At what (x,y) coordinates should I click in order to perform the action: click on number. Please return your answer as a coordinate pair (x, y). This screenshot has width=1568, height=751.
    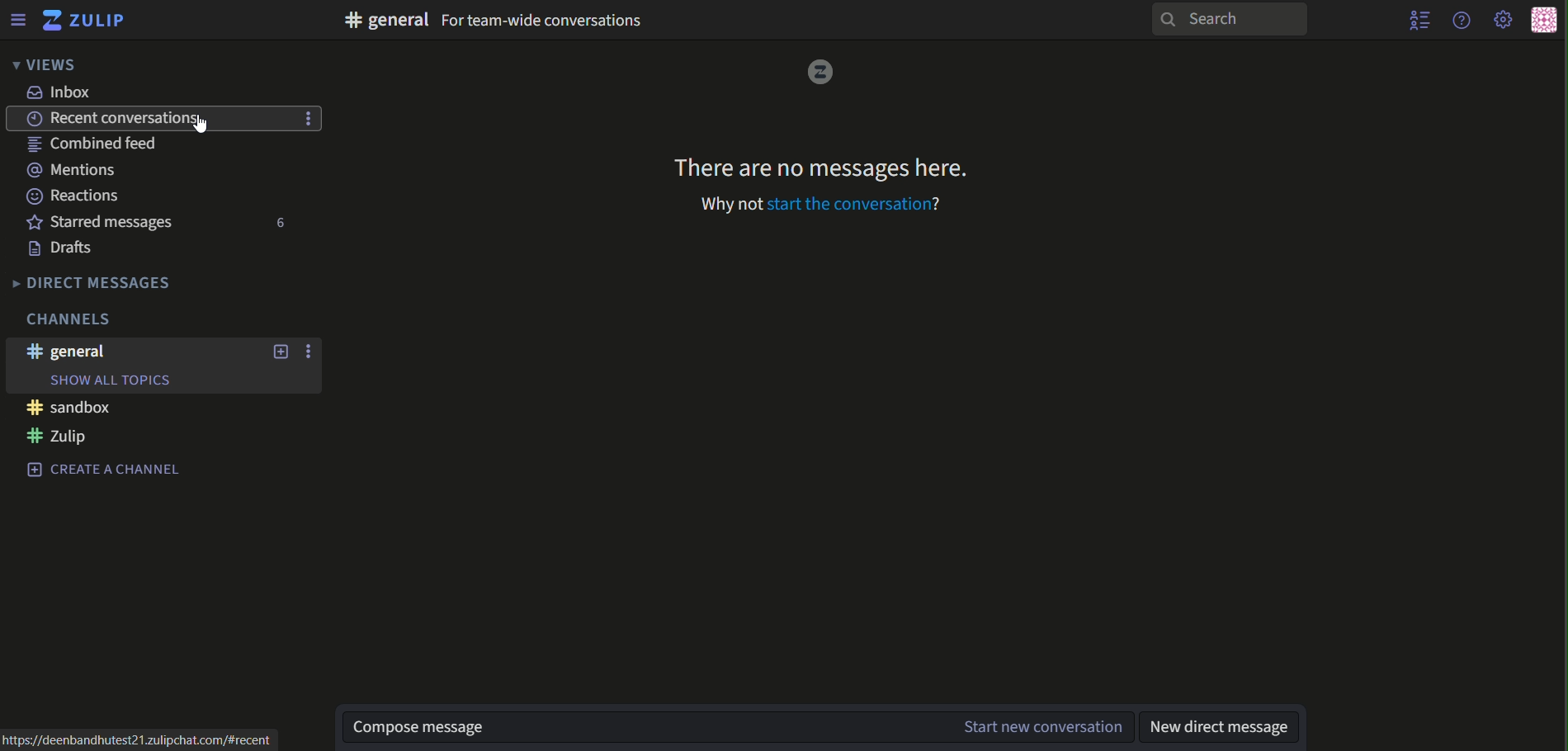
    Looking at the image, I should click on (276, 224).